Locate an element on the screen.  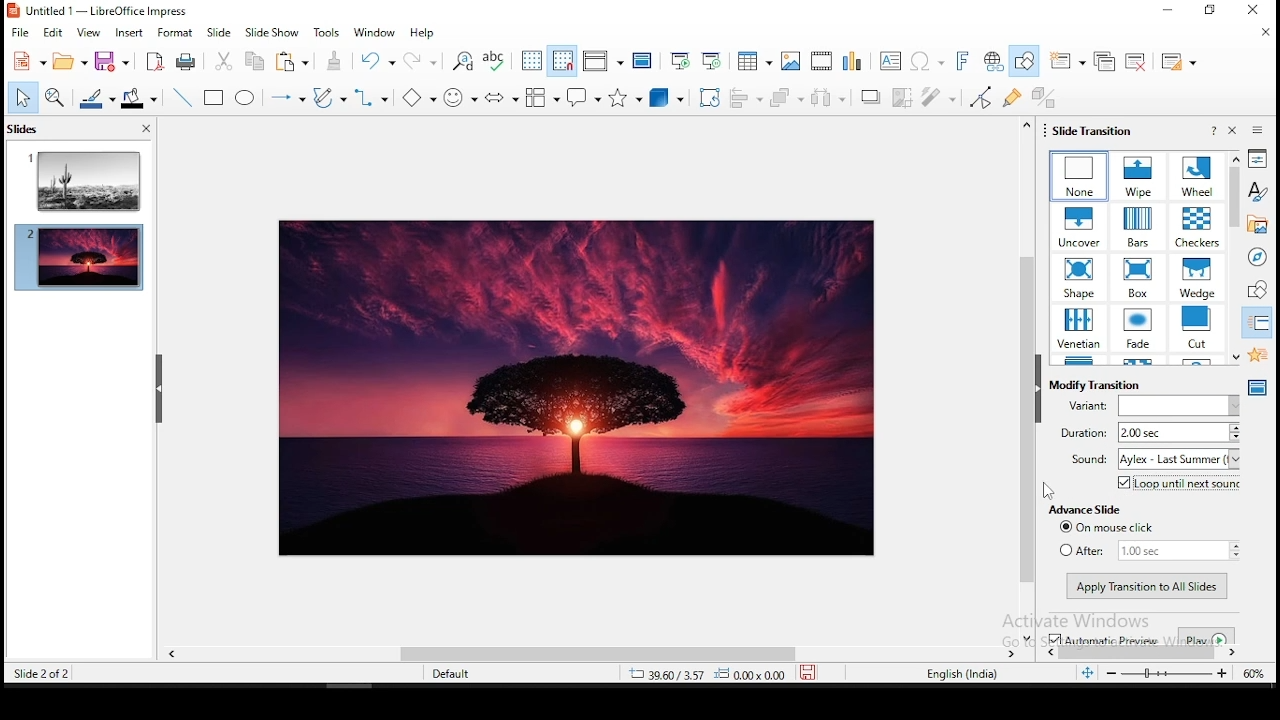
Untitled 1- LibreOffice Impress is located at coordinates (98, 10).